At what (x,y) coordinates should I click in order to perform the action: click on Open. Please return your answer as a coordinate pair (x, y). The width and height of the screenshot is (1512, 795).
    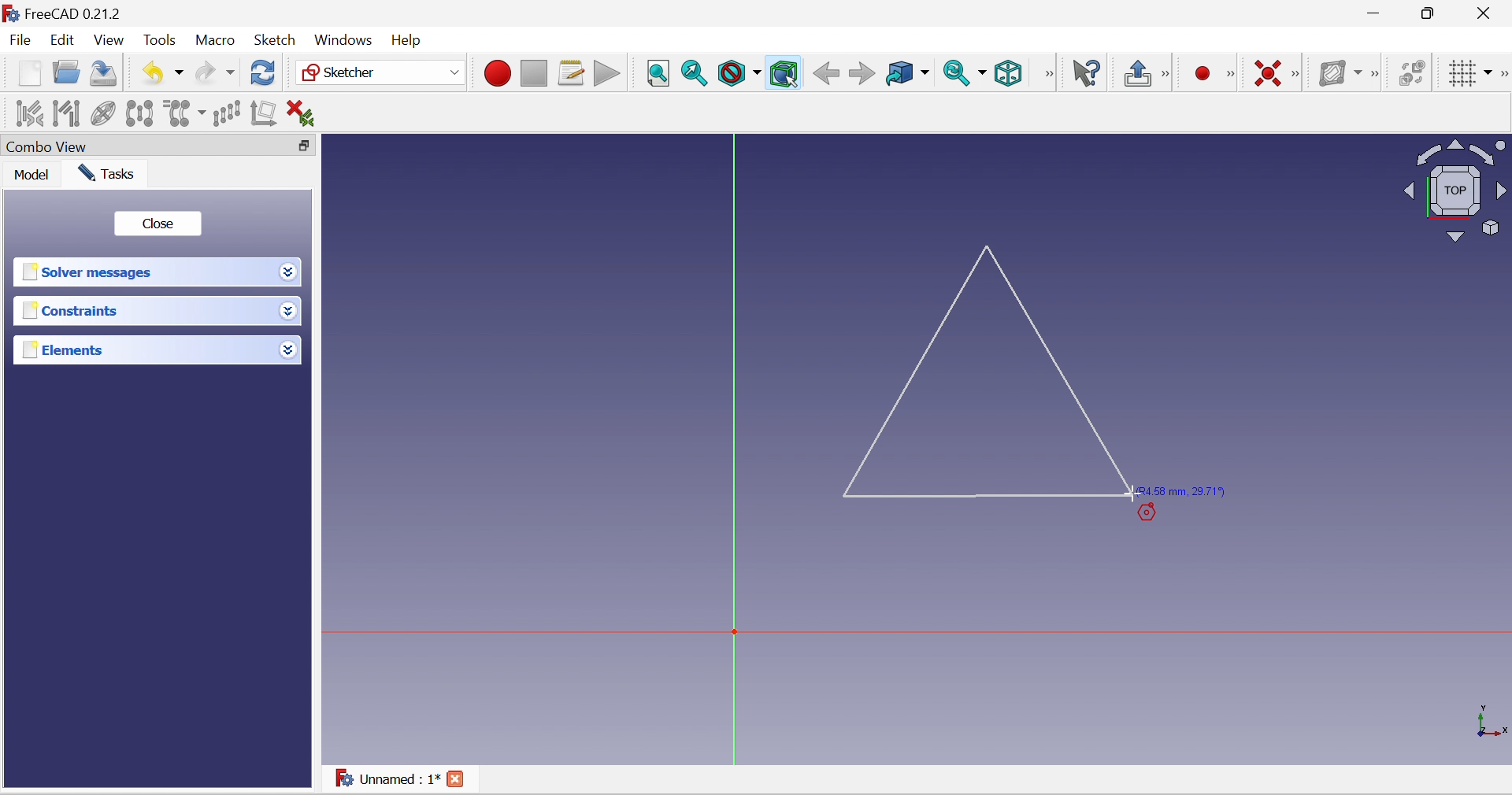
    Looking at the image, I should click on (67, 74).